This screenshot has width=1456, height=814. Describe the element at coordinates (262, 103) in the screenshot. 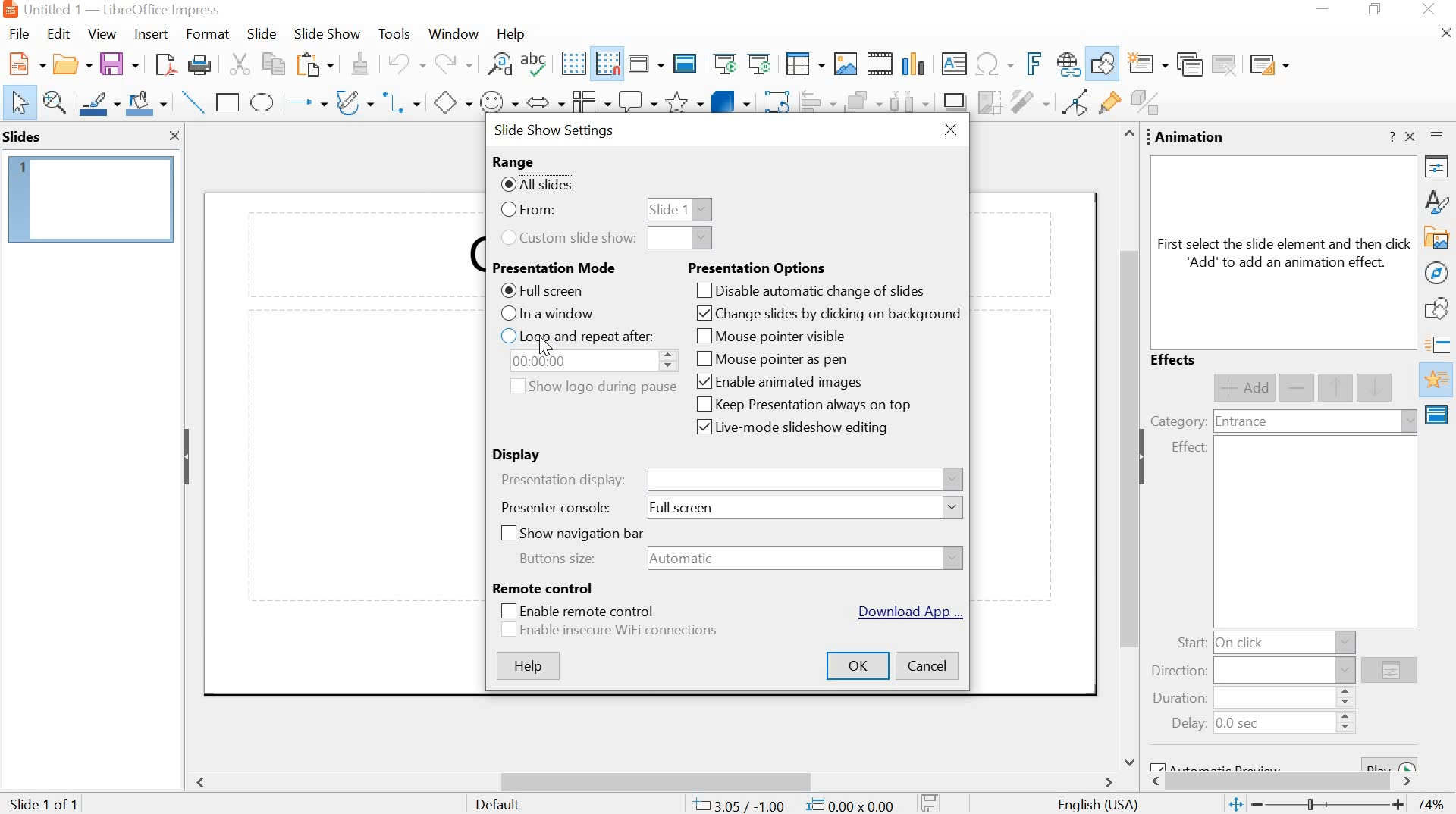

I see `ellipse` at that location.